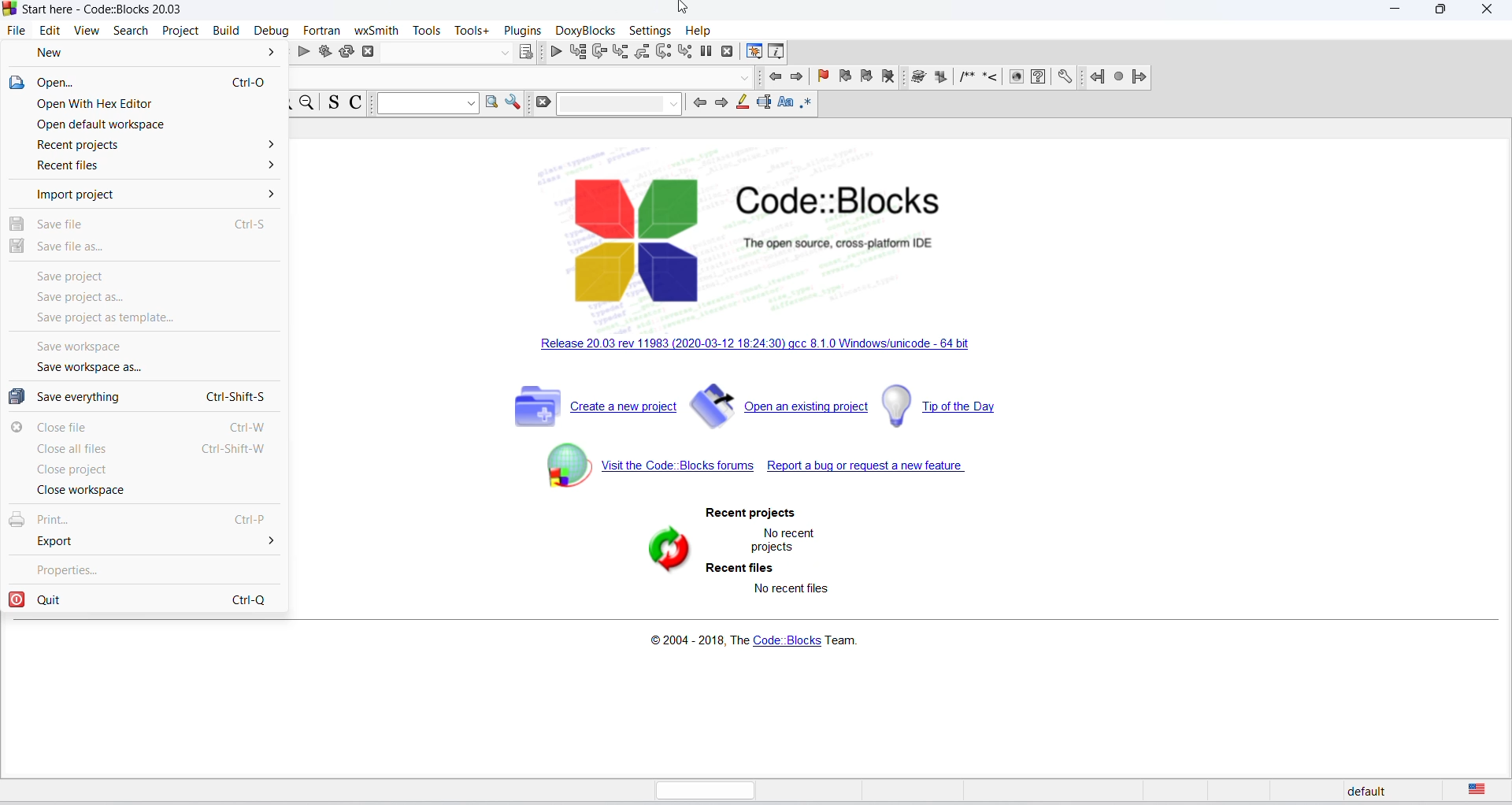 The image size is (1512, 805). Describe the element at coordinates (1395, 12) in the screenshot. I see `minimize` at that location.